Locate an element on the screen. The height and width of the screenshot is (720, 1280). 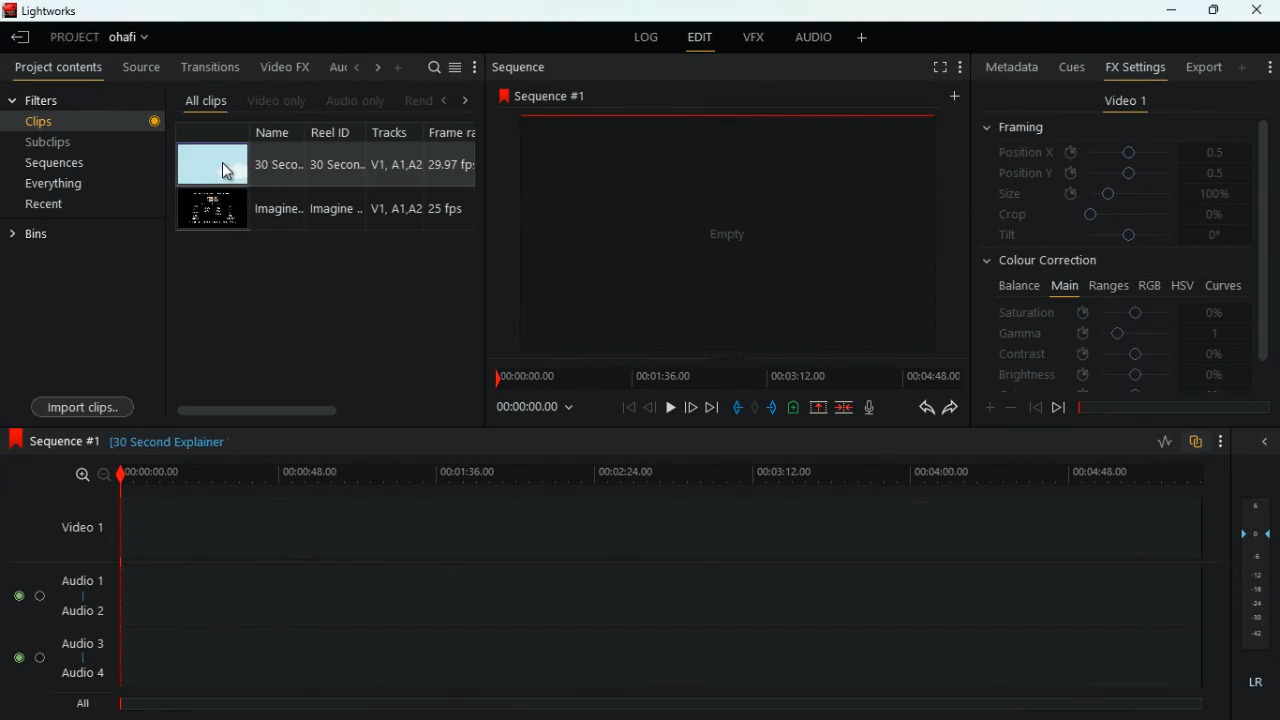
framing is located at coordinates (1016, 128).